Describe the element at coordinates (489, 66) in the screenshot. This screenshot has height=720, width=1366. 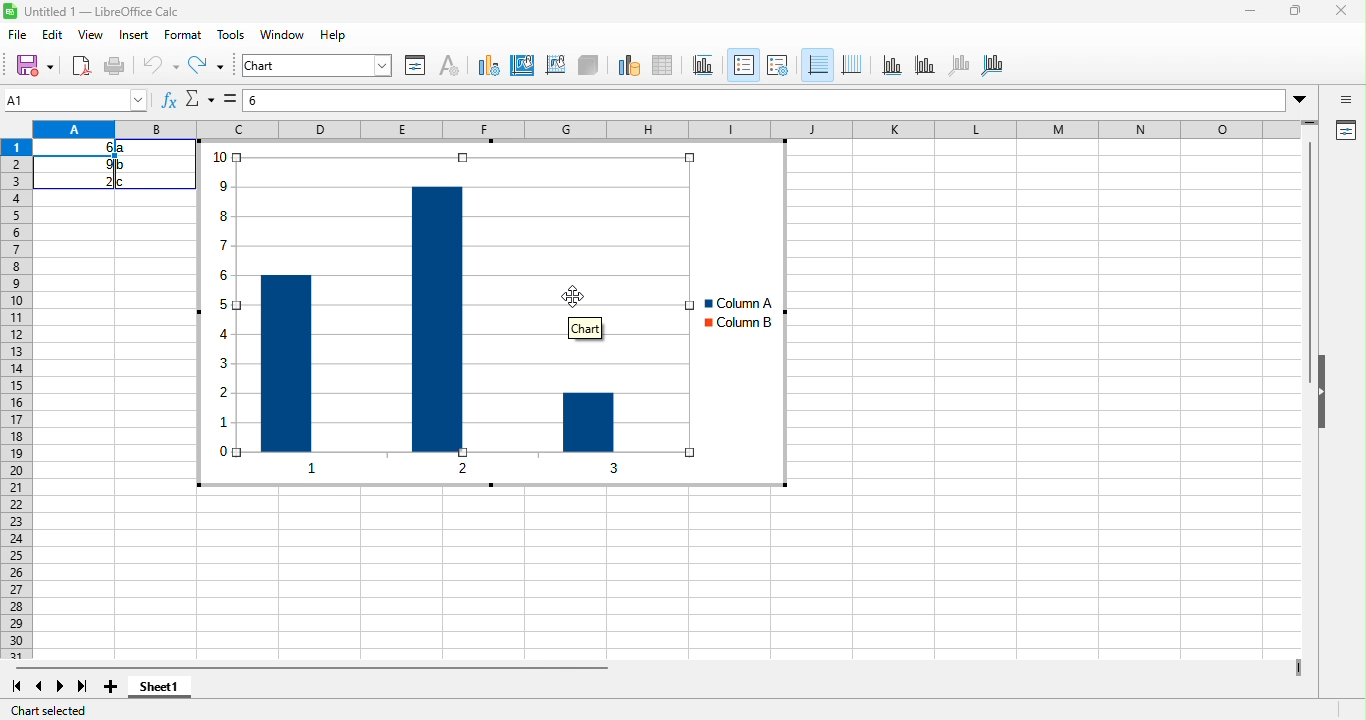
I see `chart type` at that location.